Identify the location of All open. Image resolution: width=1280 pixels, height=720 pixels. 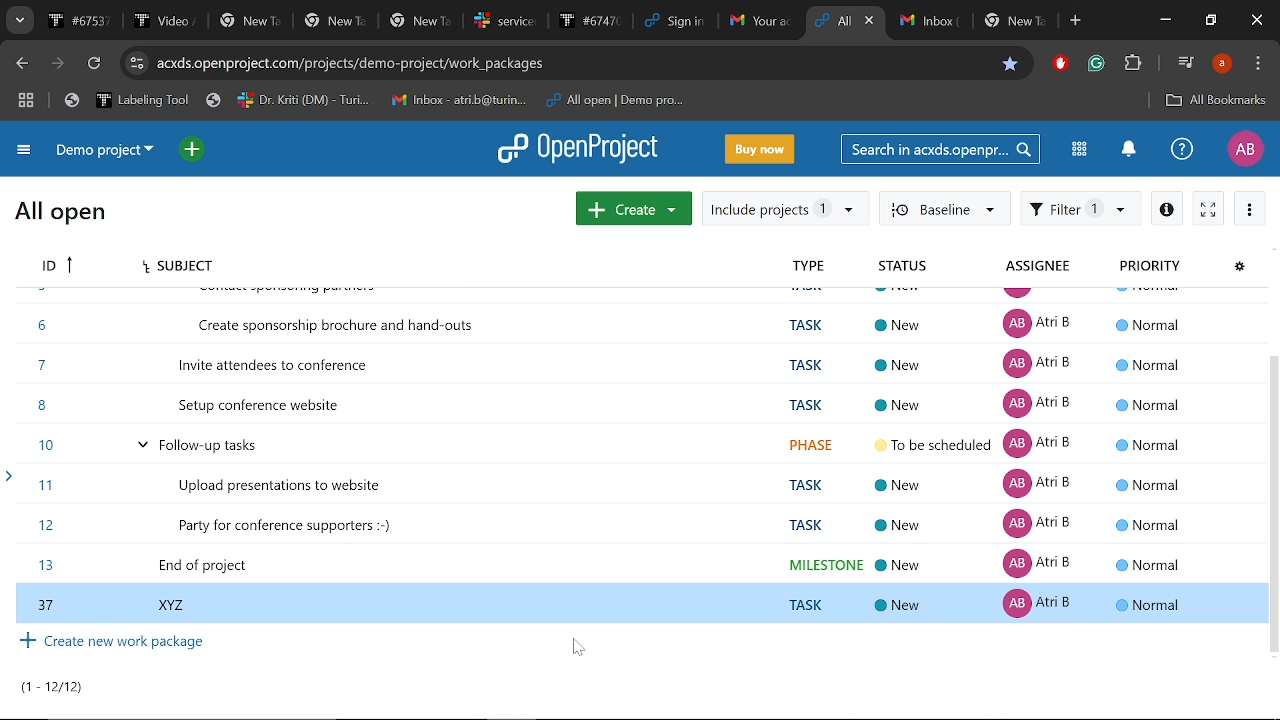
(62, 209).